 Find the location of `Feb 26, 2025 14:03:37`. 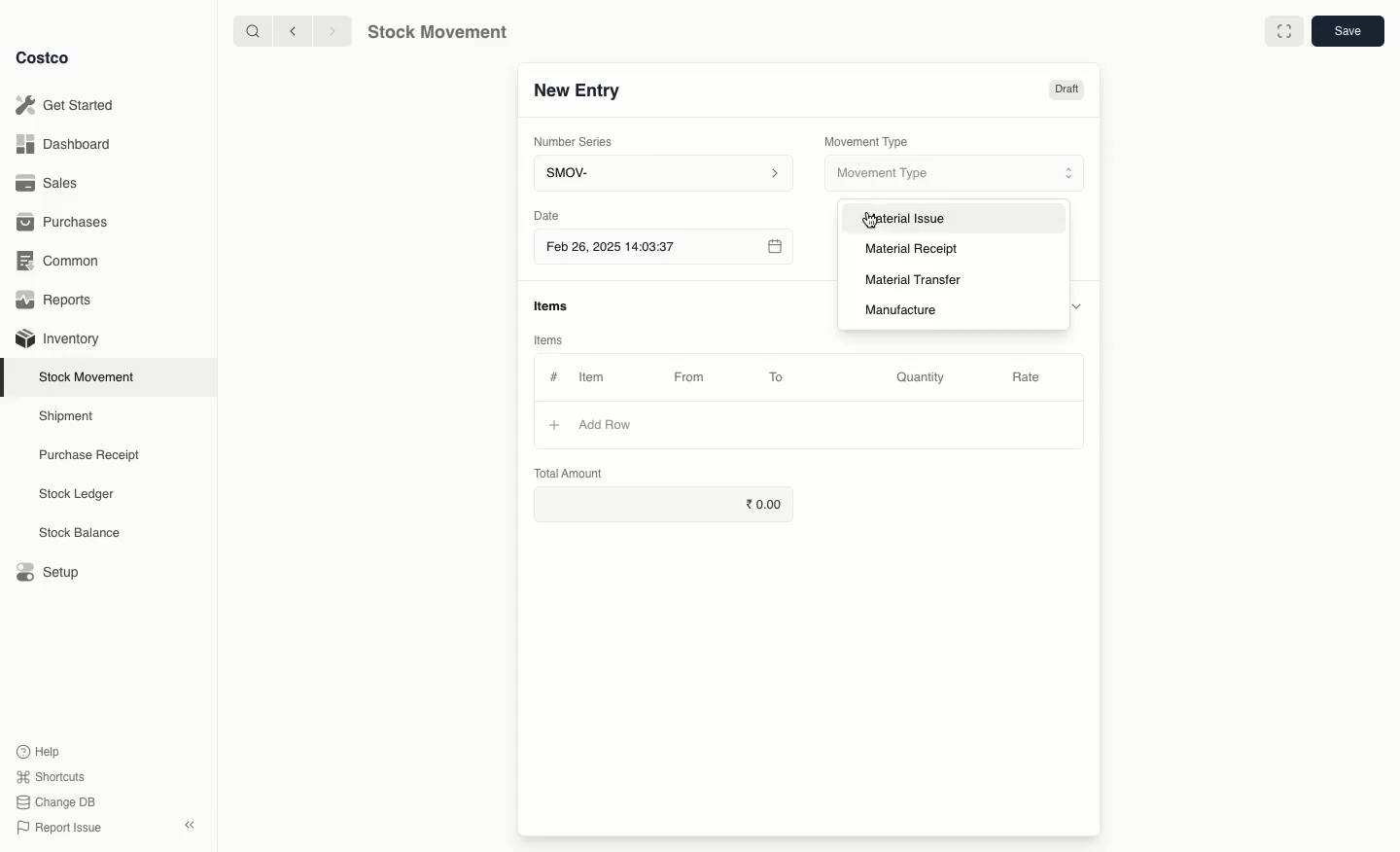

Feb 26, 2025 14:03:37 is located at coordinates (662, 248).